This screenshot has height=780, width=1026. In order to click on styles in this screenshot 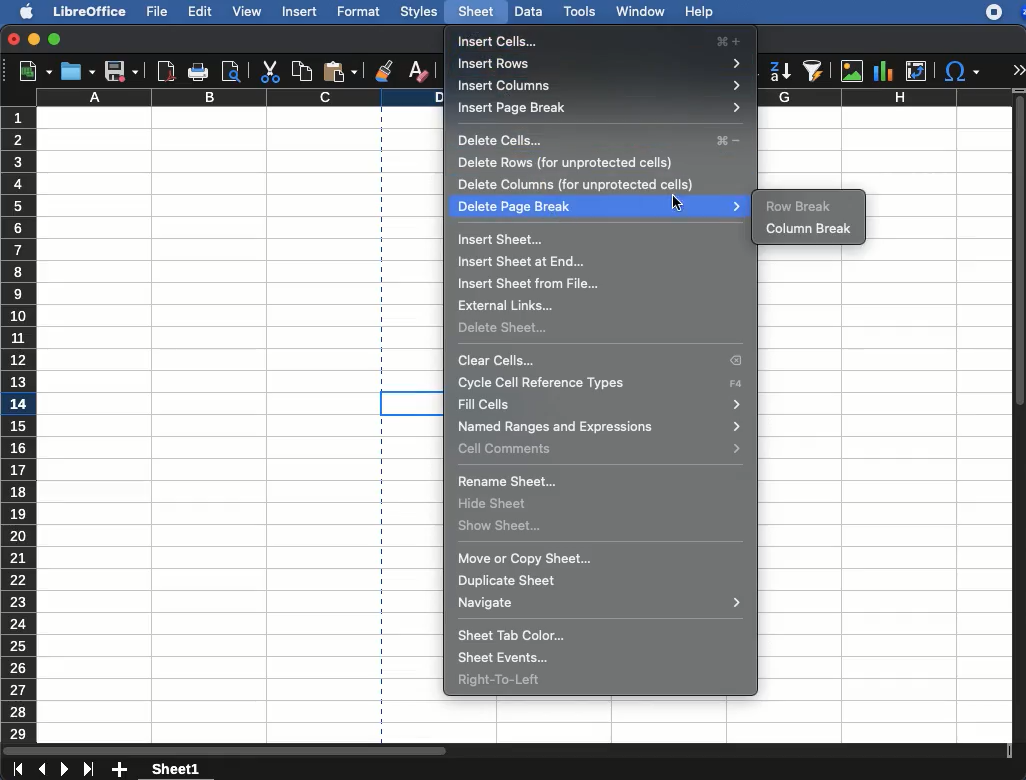, I will do `click(420, 11)`.